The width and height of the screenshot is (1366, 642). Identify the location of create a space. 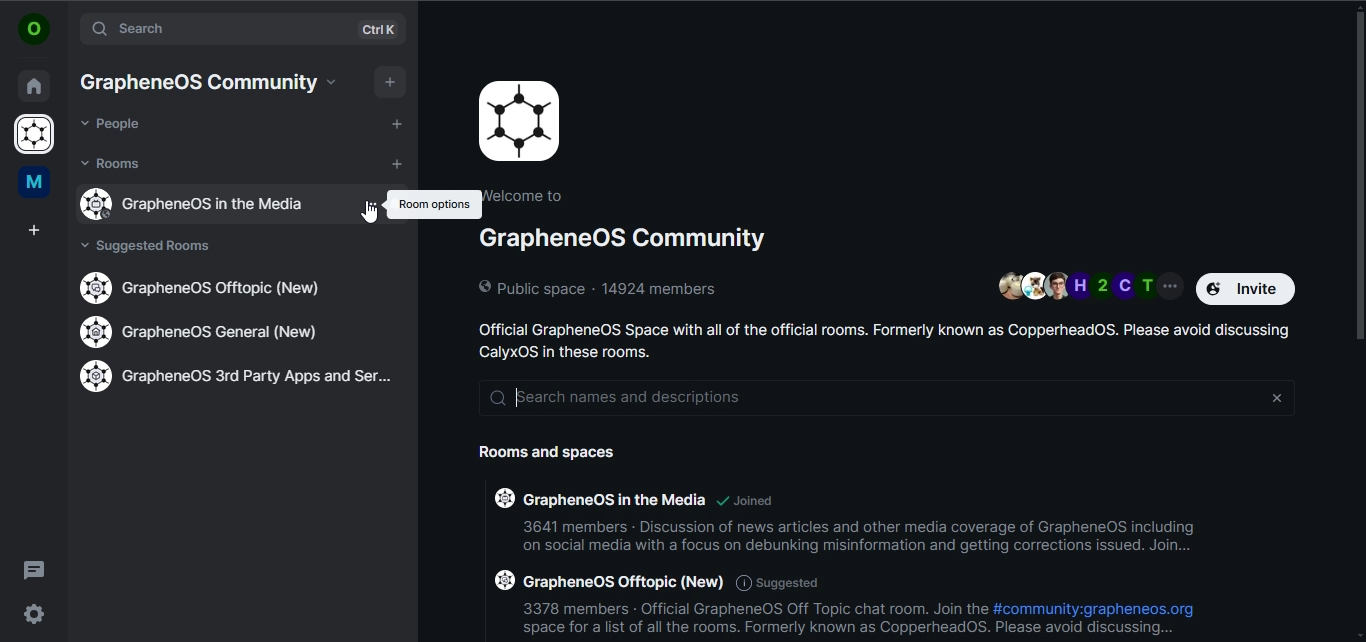
(36, 231).